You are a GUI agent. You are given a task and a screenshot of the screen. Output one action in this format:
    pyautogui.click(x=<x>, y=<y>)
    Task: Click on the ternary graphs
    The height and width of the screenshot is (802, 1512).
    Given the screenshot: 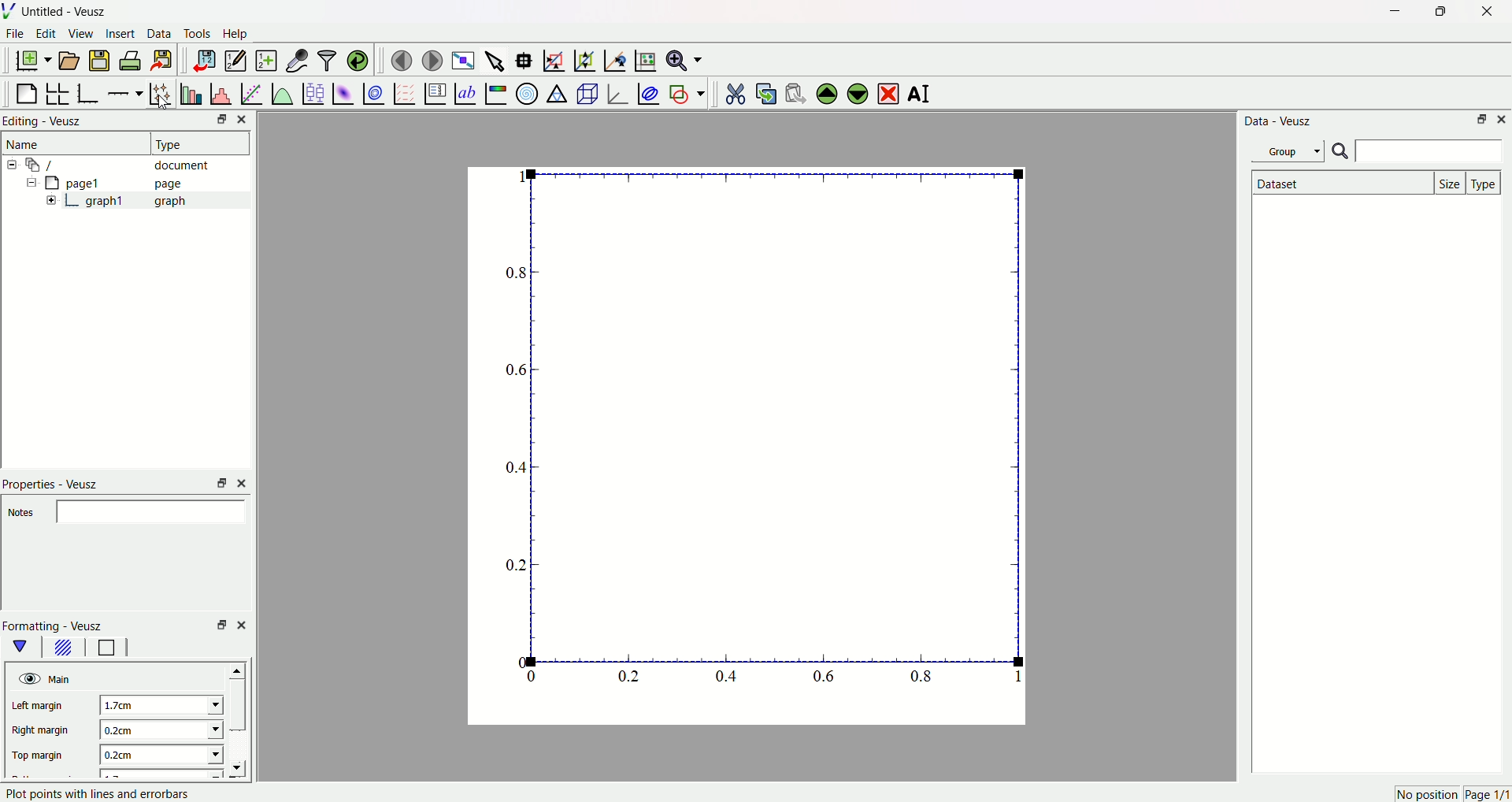 What is the action you would take?
    pyautogui.click(x=556, y=91)
    